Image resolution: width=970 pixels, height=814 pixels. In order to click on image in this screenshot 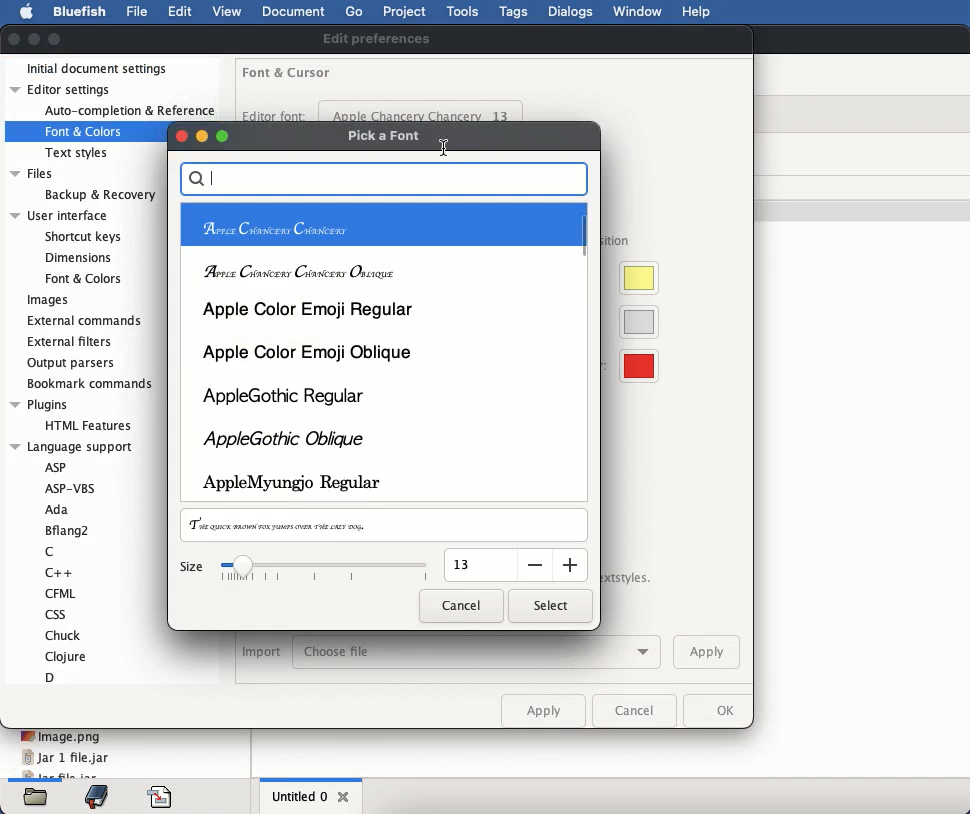, I will do `click(61, 736)`.